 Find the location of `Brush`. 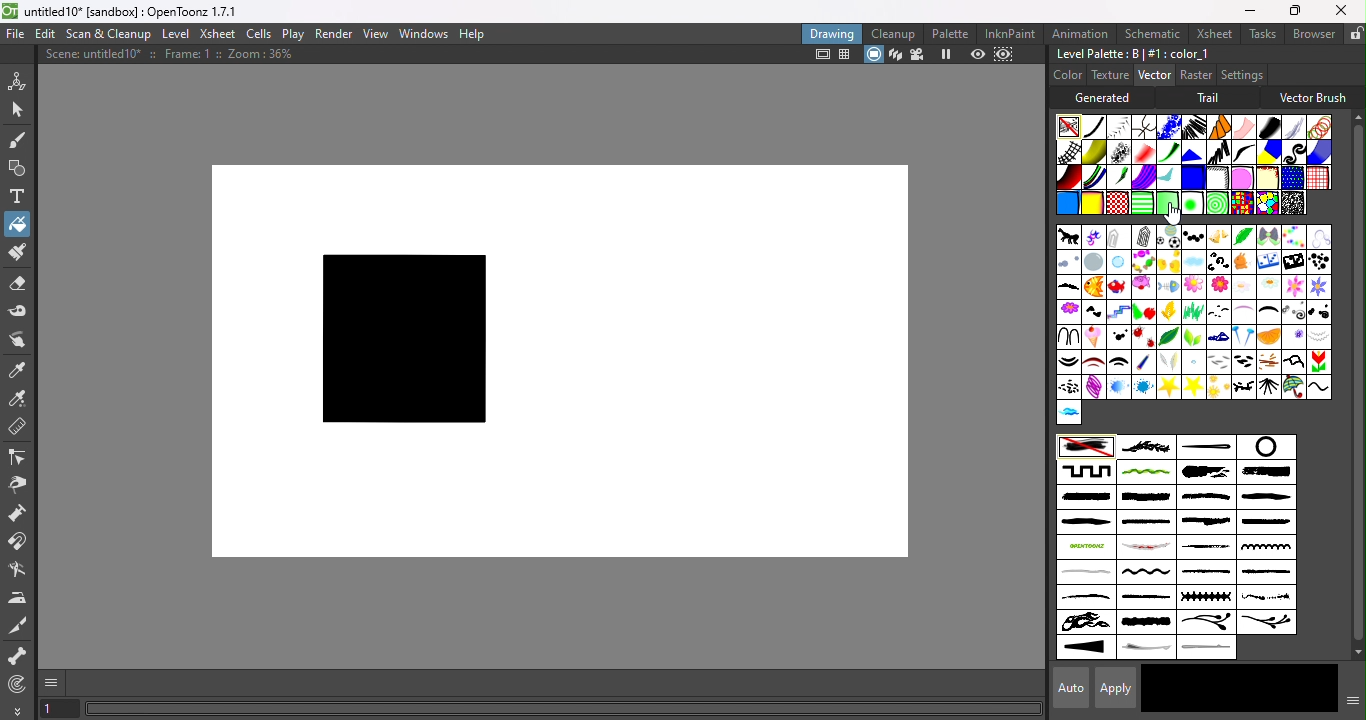

Brush is located at coordinates (1291, 236).